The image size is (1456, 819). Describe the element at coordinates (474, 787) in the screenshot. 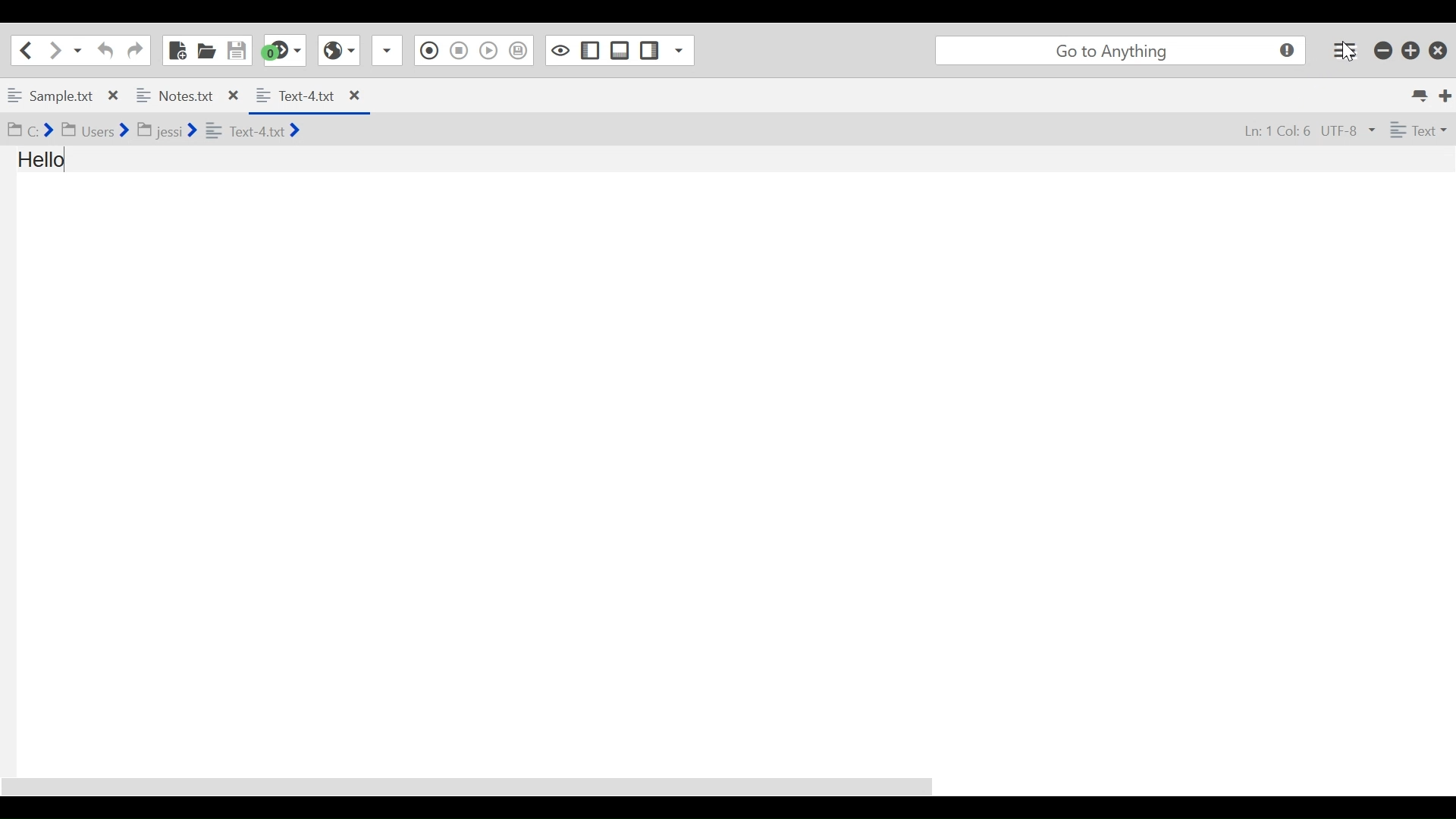

I see `Horizontal Scroll bar` at that location.